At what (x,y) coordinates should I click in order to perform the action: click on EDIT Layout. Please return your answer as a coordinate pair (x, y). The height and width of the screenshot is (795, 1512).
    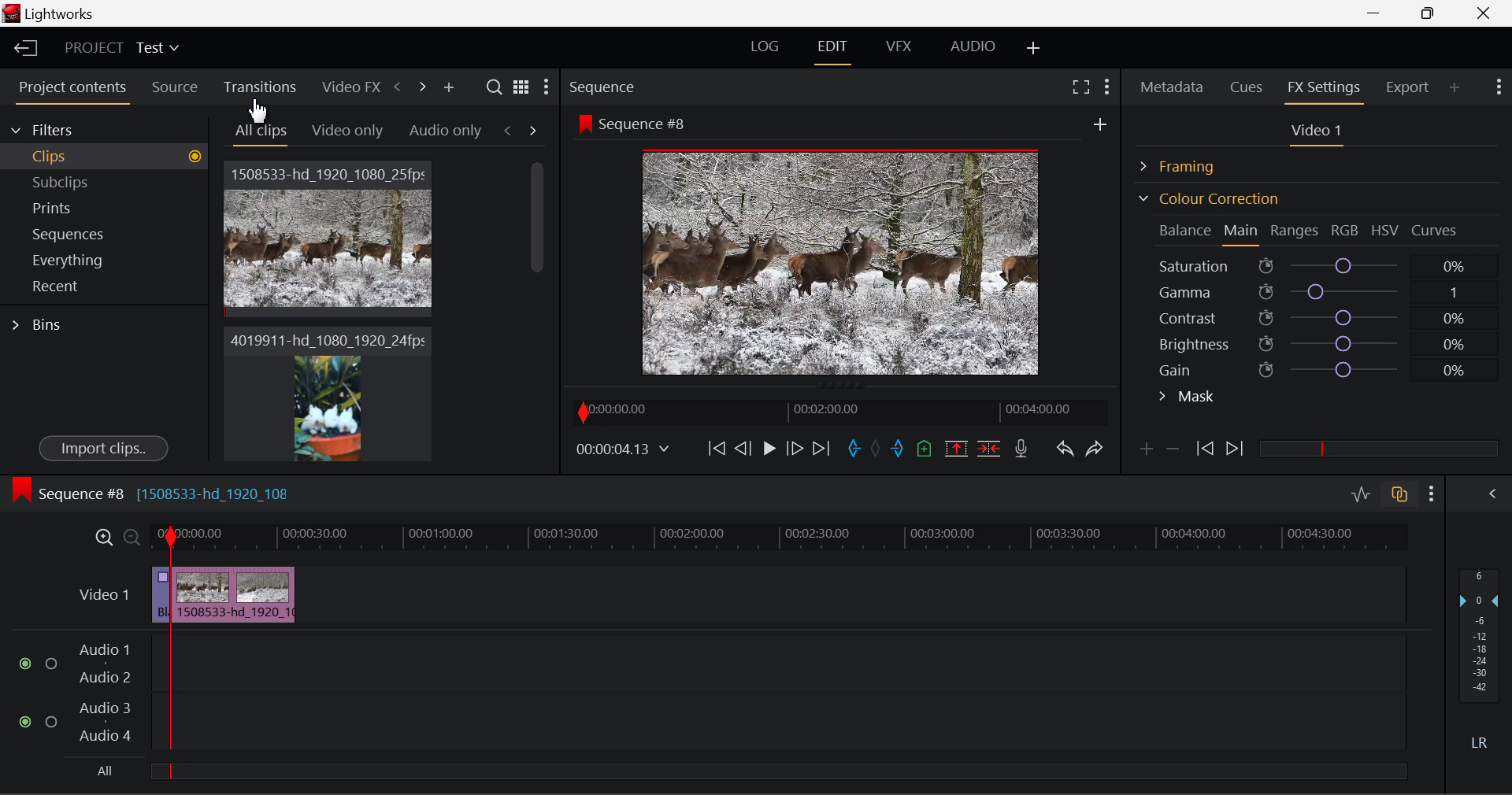
    Looking at the image, I should click on (835, 50).